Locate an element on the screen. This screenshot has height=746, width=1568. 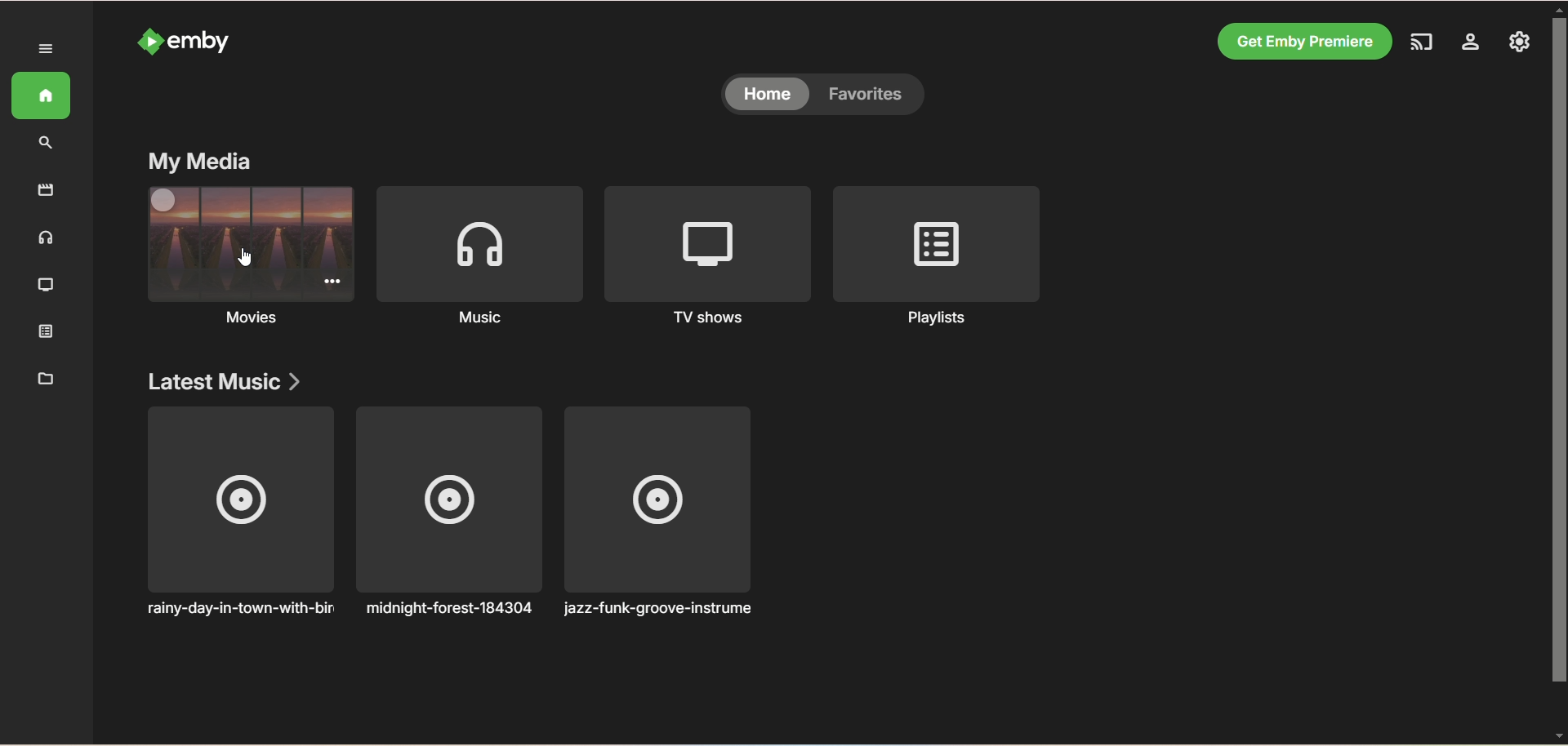
settings is located at coordinates (1521, 42).